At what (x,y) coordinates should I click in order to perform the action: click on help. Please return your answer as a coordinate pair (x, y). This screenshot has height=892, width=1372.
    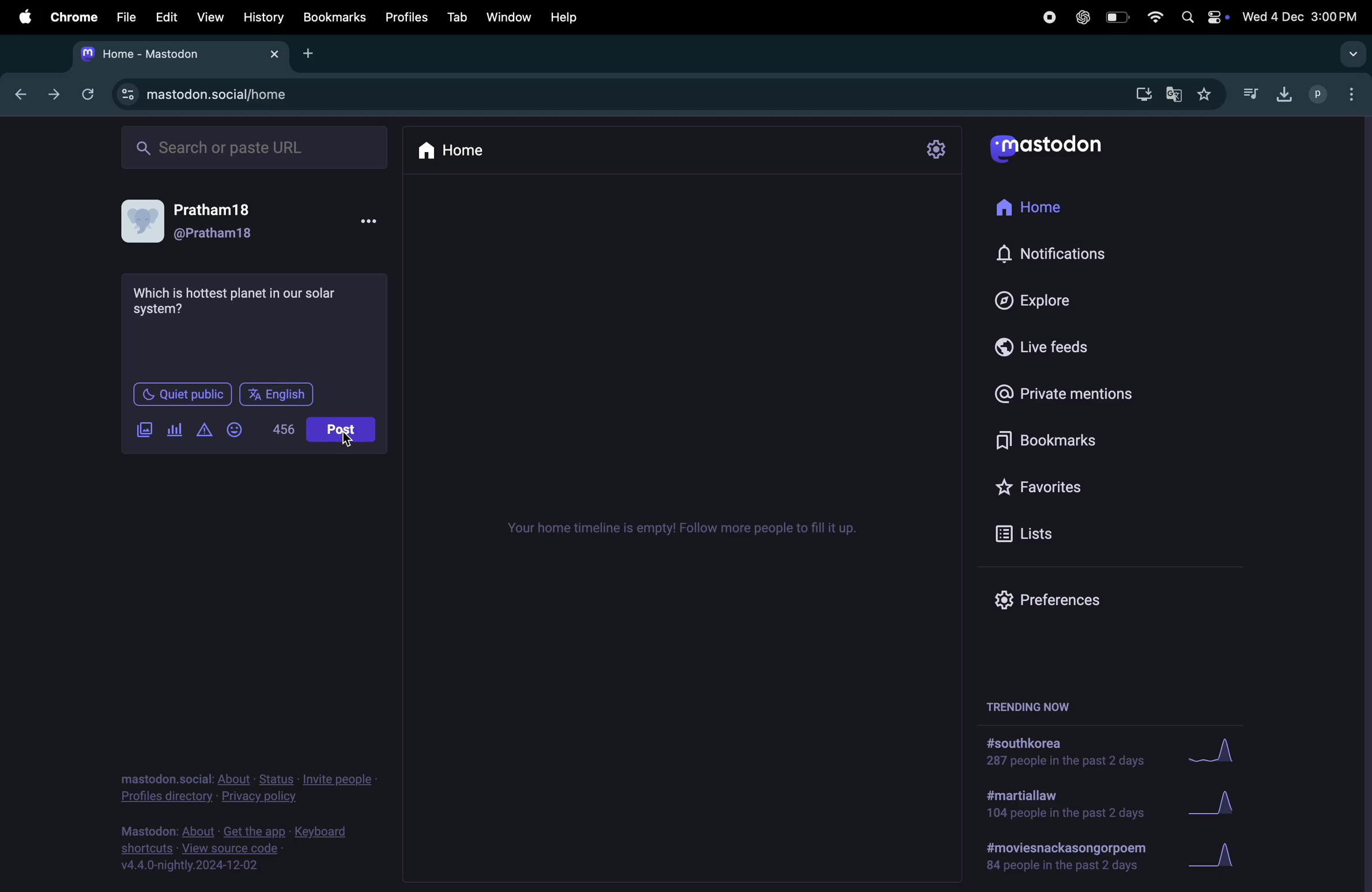
    Looking at the image, I should click on (569, 17).